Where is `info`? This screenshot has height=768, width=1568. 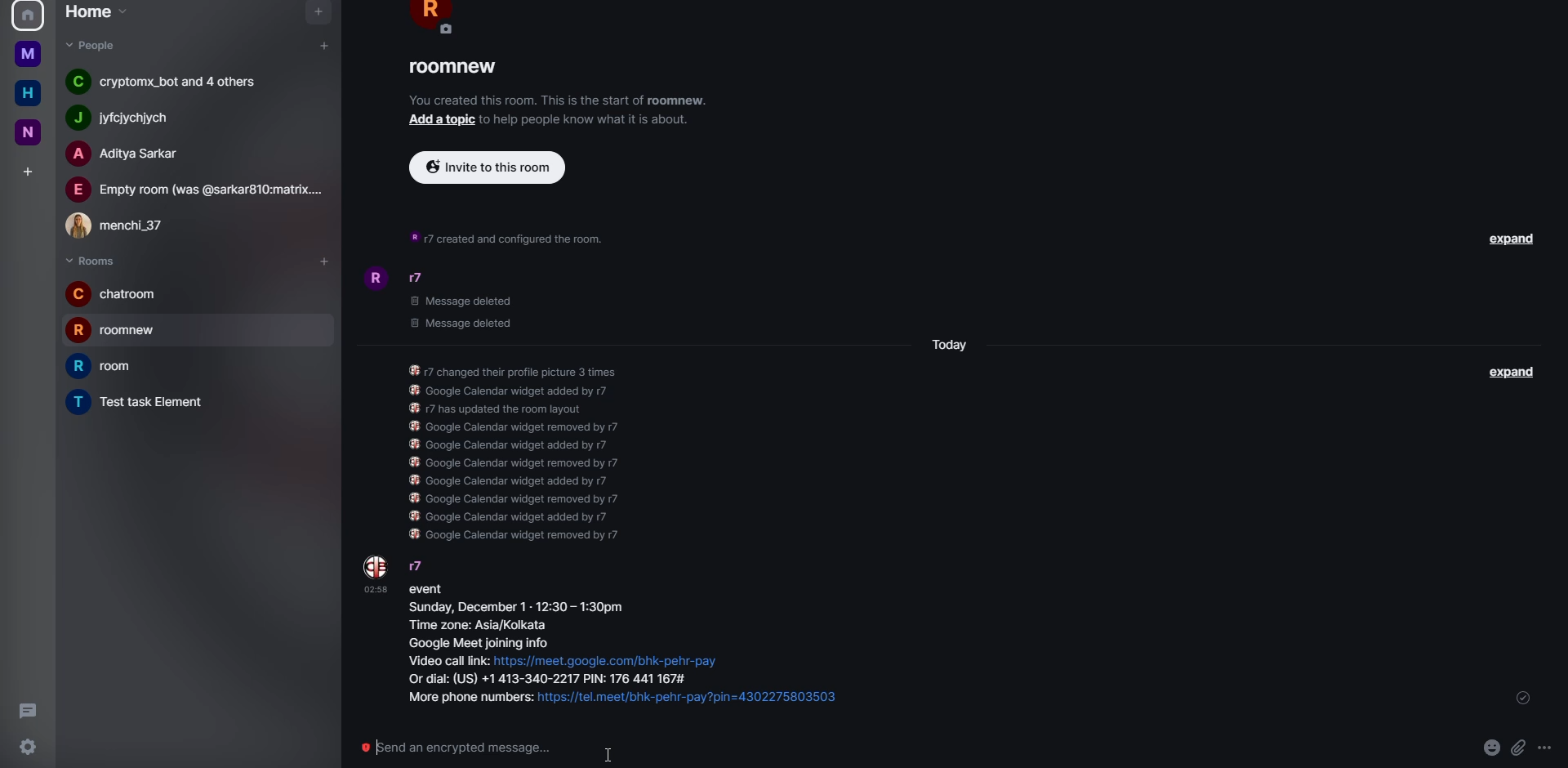 info is located at coordinates (517, 447).